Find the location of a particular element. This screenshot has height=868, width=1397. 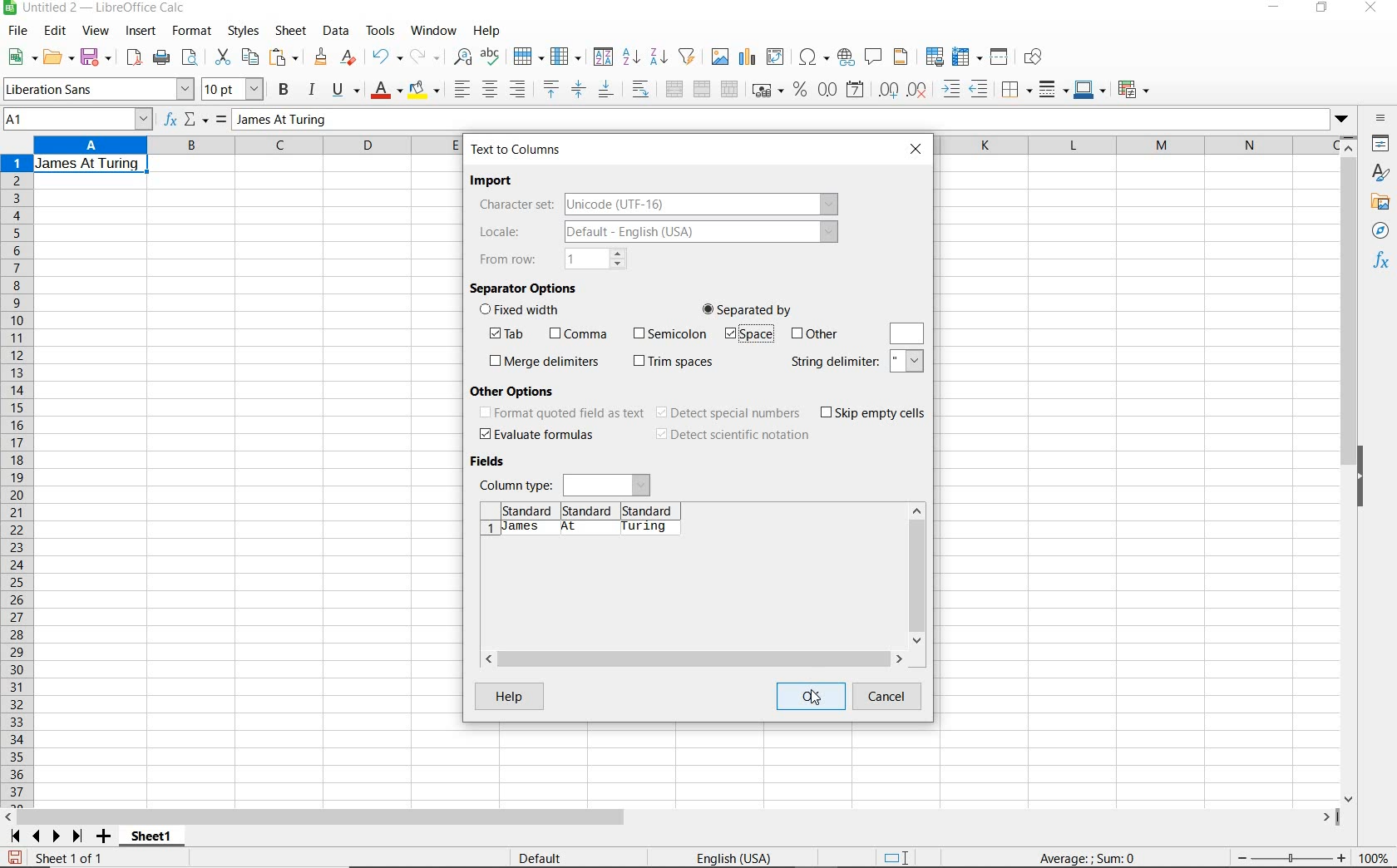

skip empty cells is located at coordinates (874, 413).